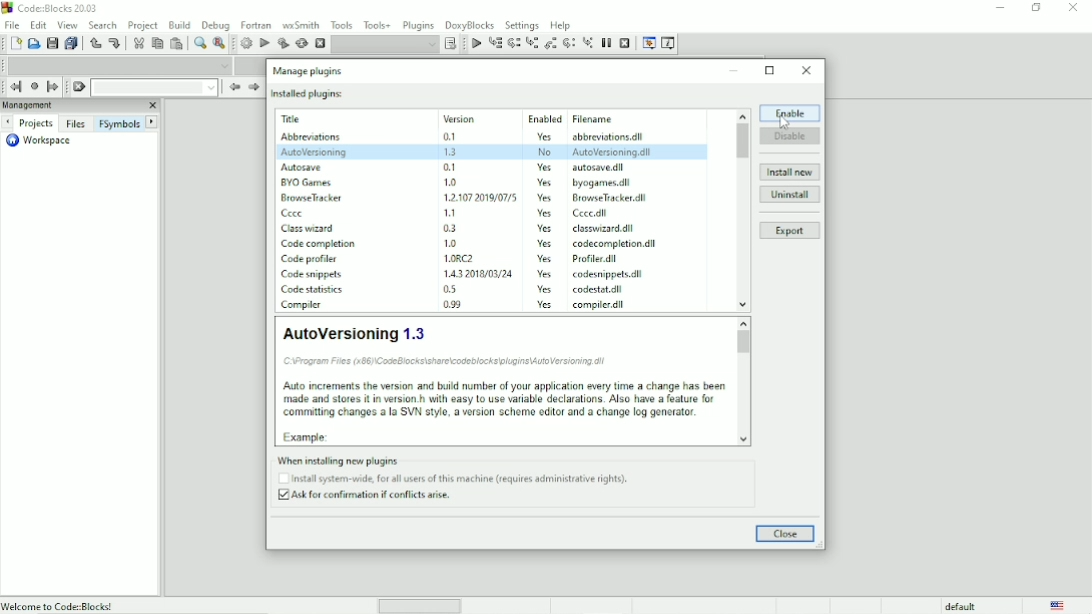 The width and height of the screenshot is (1092, 614). What do you see at coordinates (143, 26) in the screenshot?
I see `Project` at bounding box center [143, 26].